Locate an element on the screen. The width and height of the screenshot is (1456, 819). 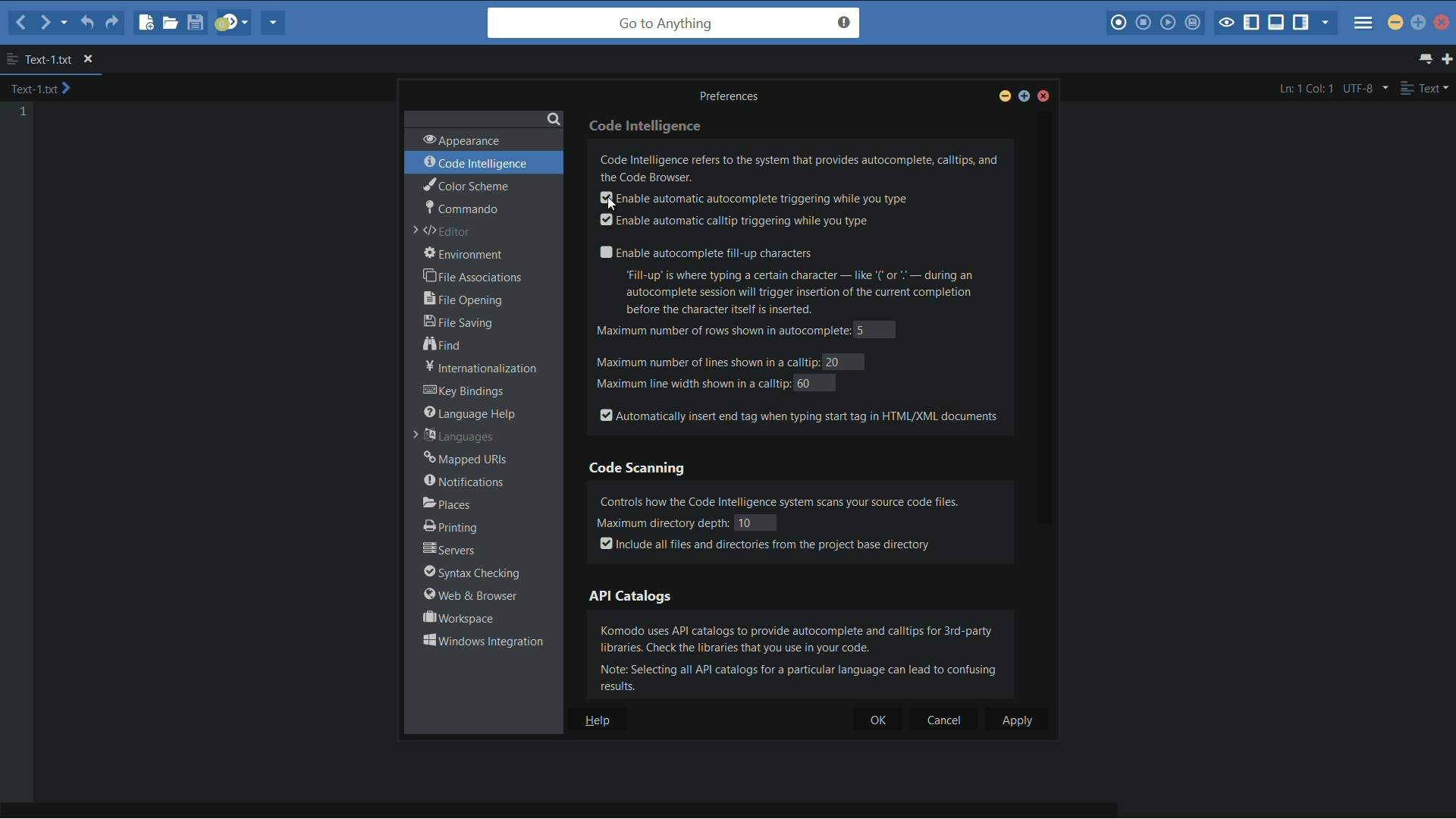
enable automatic calltip triggering while you type is located at coordinates (733, 221).